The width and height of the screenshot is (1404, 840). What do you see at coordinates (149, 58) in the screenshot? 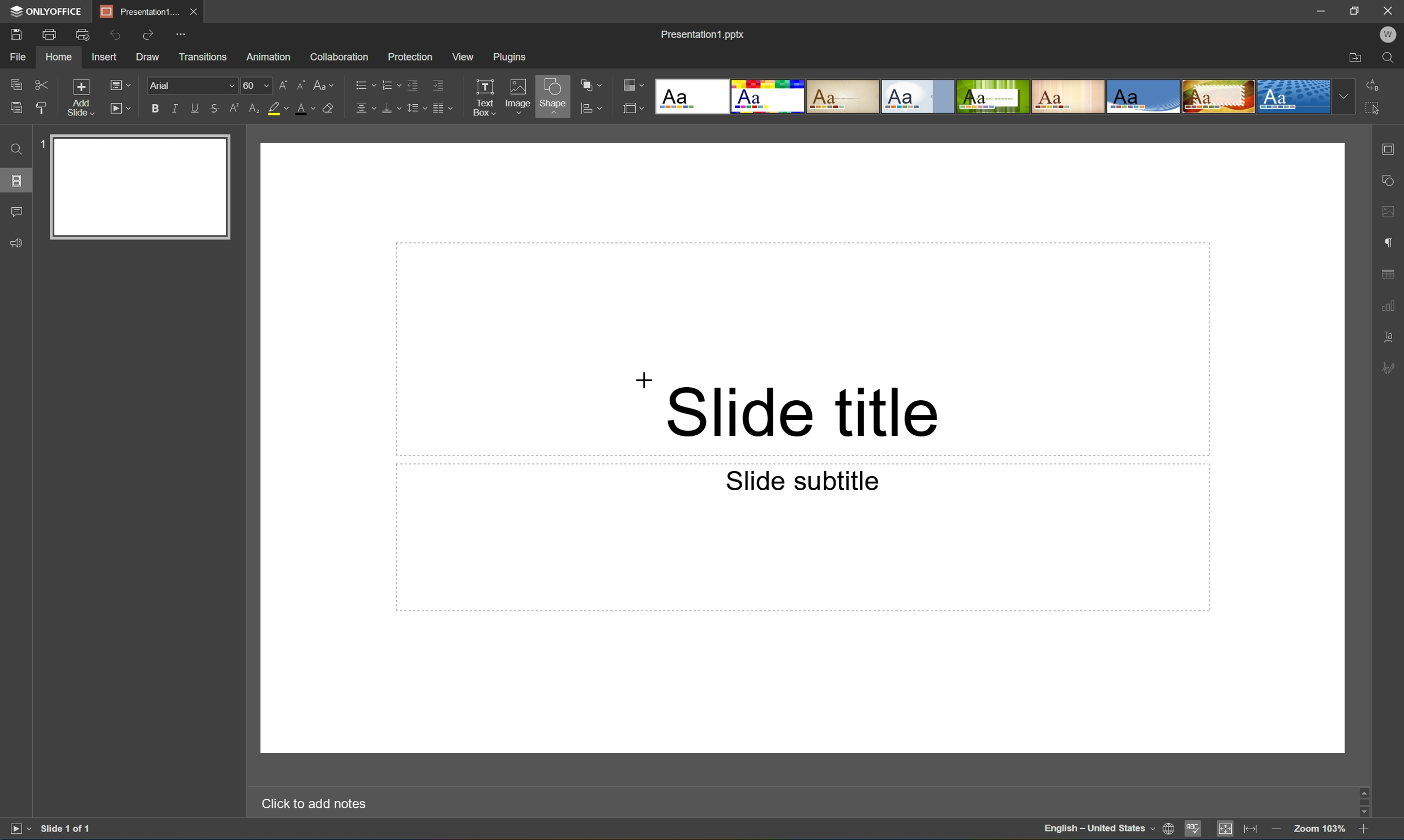
I see `Draw` at bounding box center [149, 58].